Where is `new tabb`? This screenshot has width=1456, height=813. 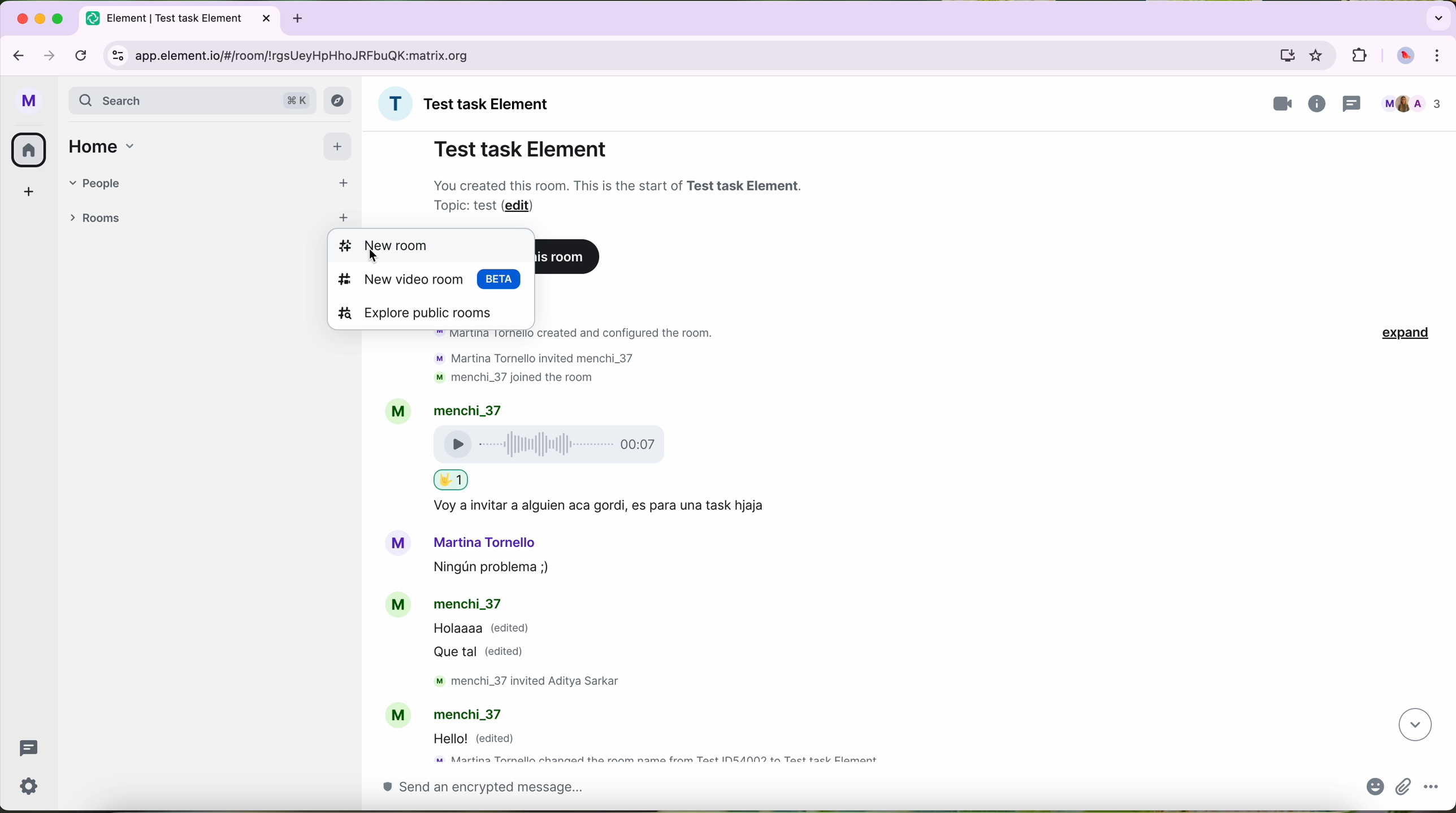 new tabb is located at coordinates (302, 18).